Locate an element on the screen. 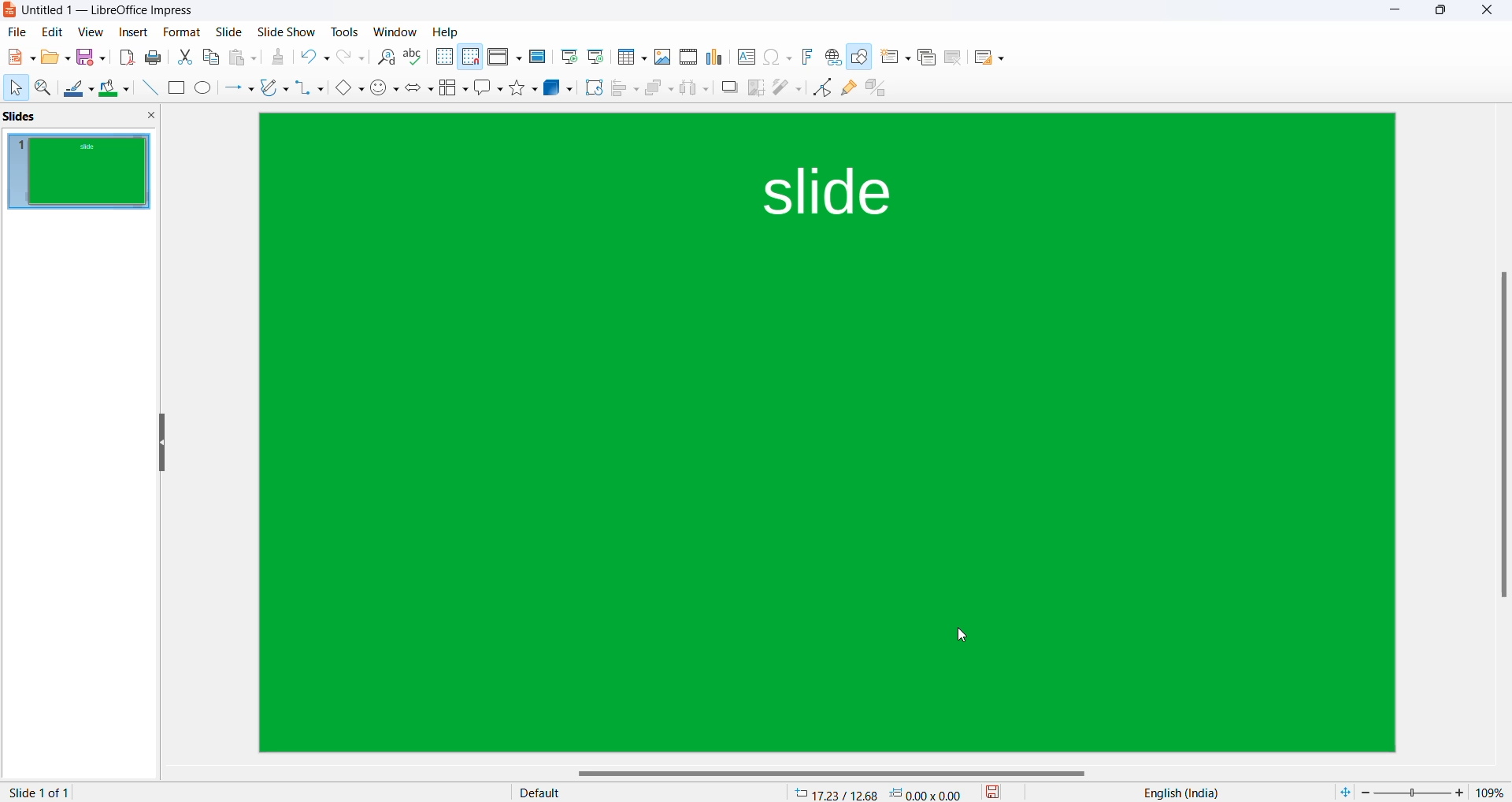 This screenshot has height=802, width=1512. spellings is located at coordinates (415, 58).